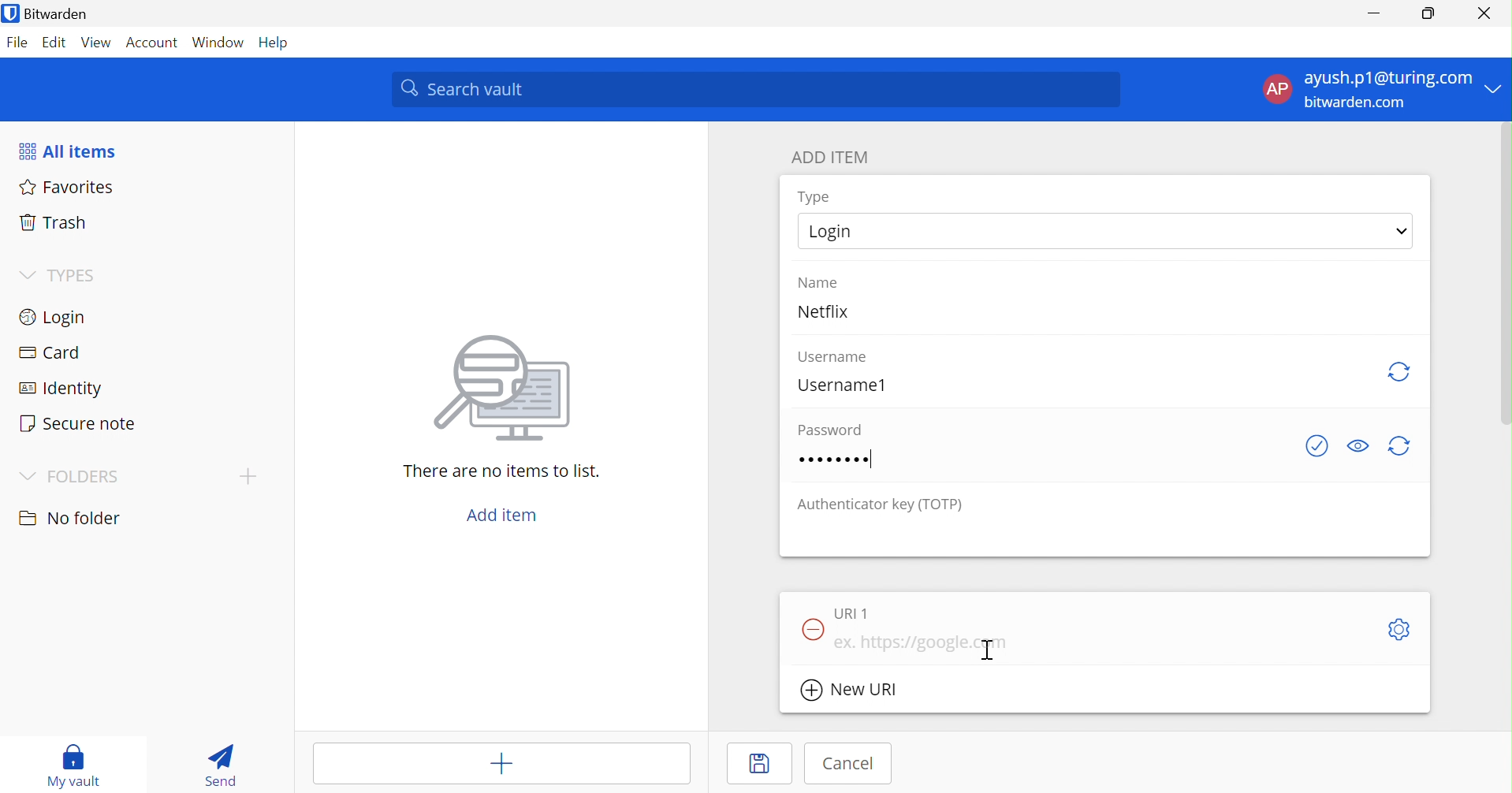  What do you see at coordinates (1506, 274) in the screenshot?
I see `scrollbar` at bounding box center [1506, 274].